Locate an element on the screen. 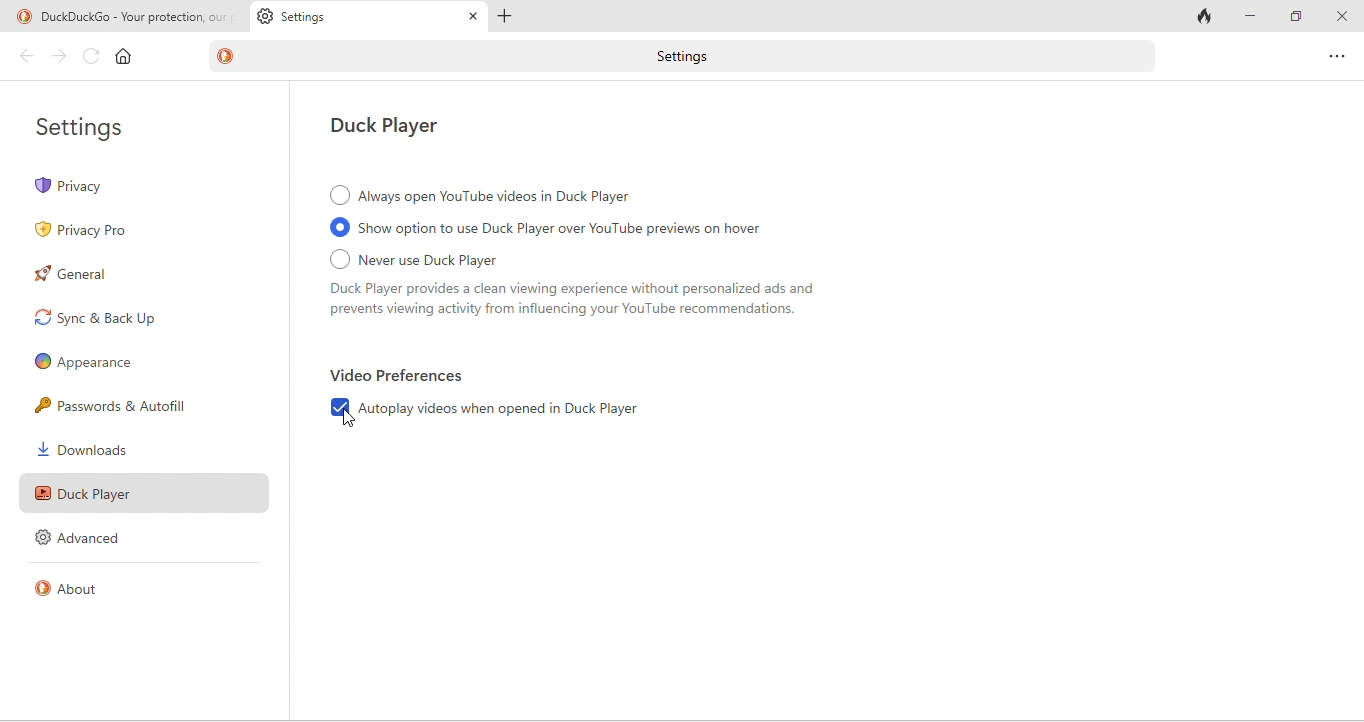 Image resolution: width=1364 pixels, height=722 pixels. settings is located at coordinates (94, 127).